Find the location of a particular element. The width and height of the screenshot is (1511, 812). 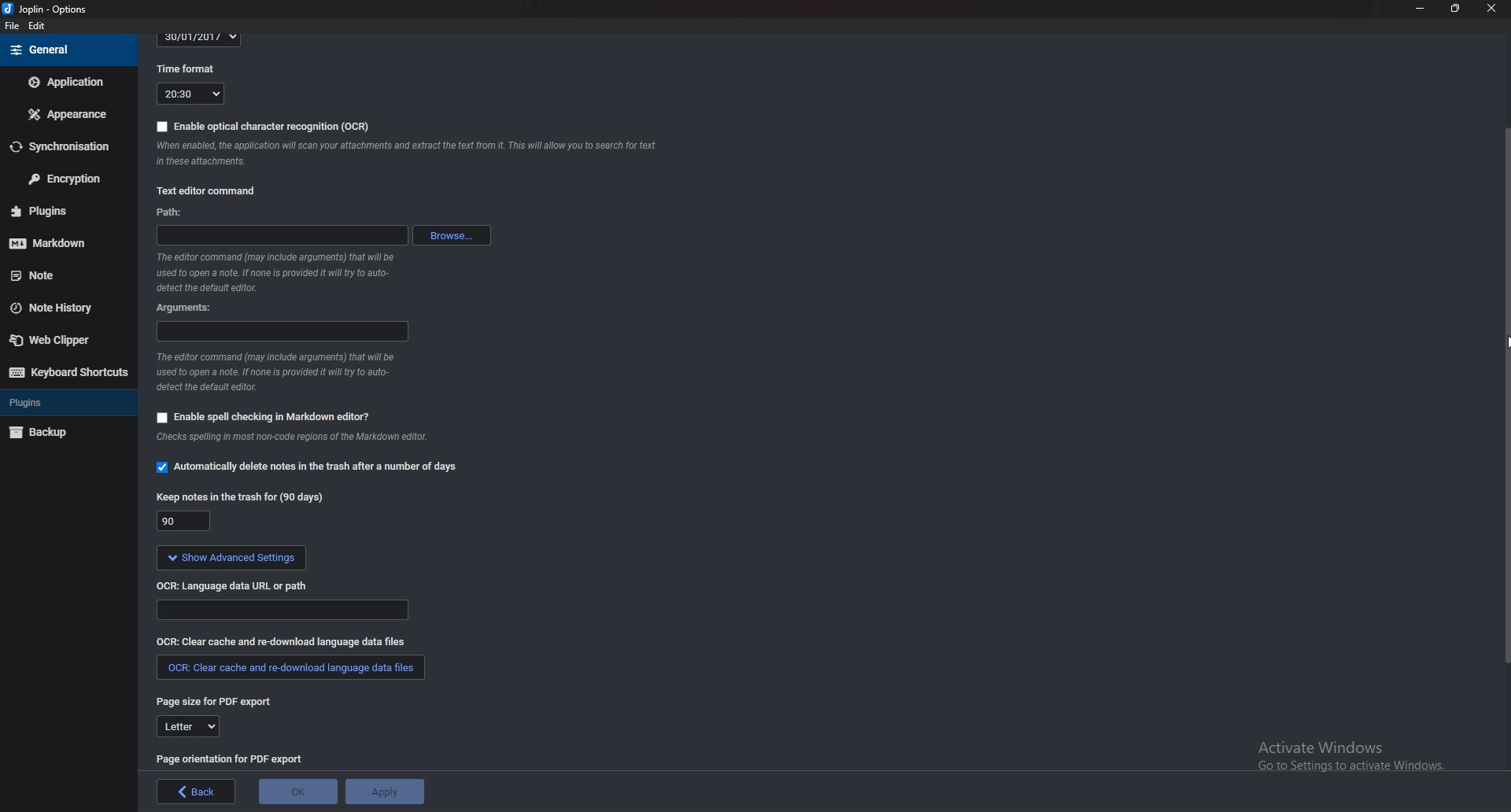

path is located at coordinates (282, 235).